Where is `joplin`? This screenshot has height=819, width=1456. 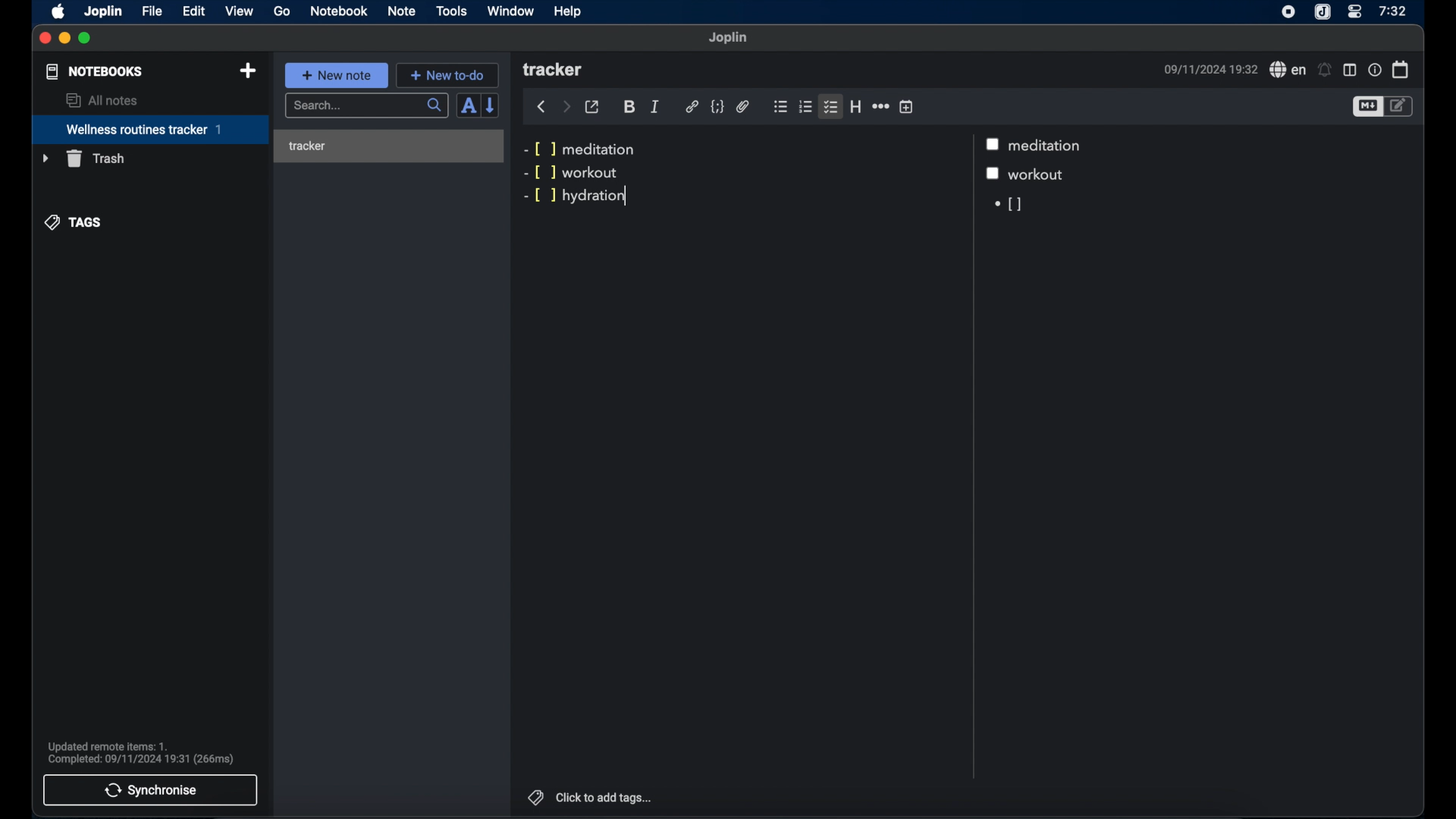
joplin is located at coordinates (104, 12).